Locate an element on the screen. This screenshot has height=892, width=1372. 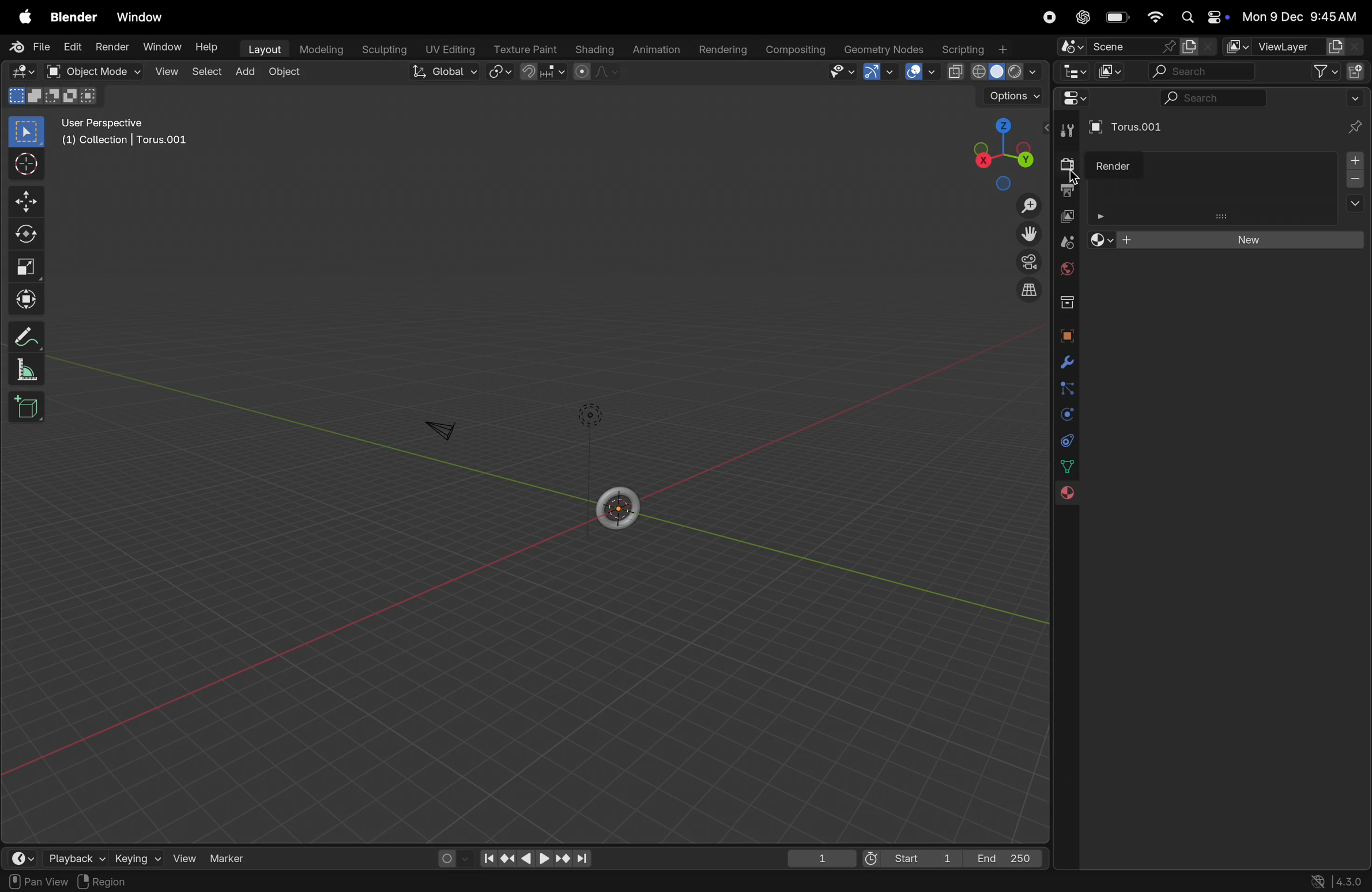
view is located at coordinates (167, 73).